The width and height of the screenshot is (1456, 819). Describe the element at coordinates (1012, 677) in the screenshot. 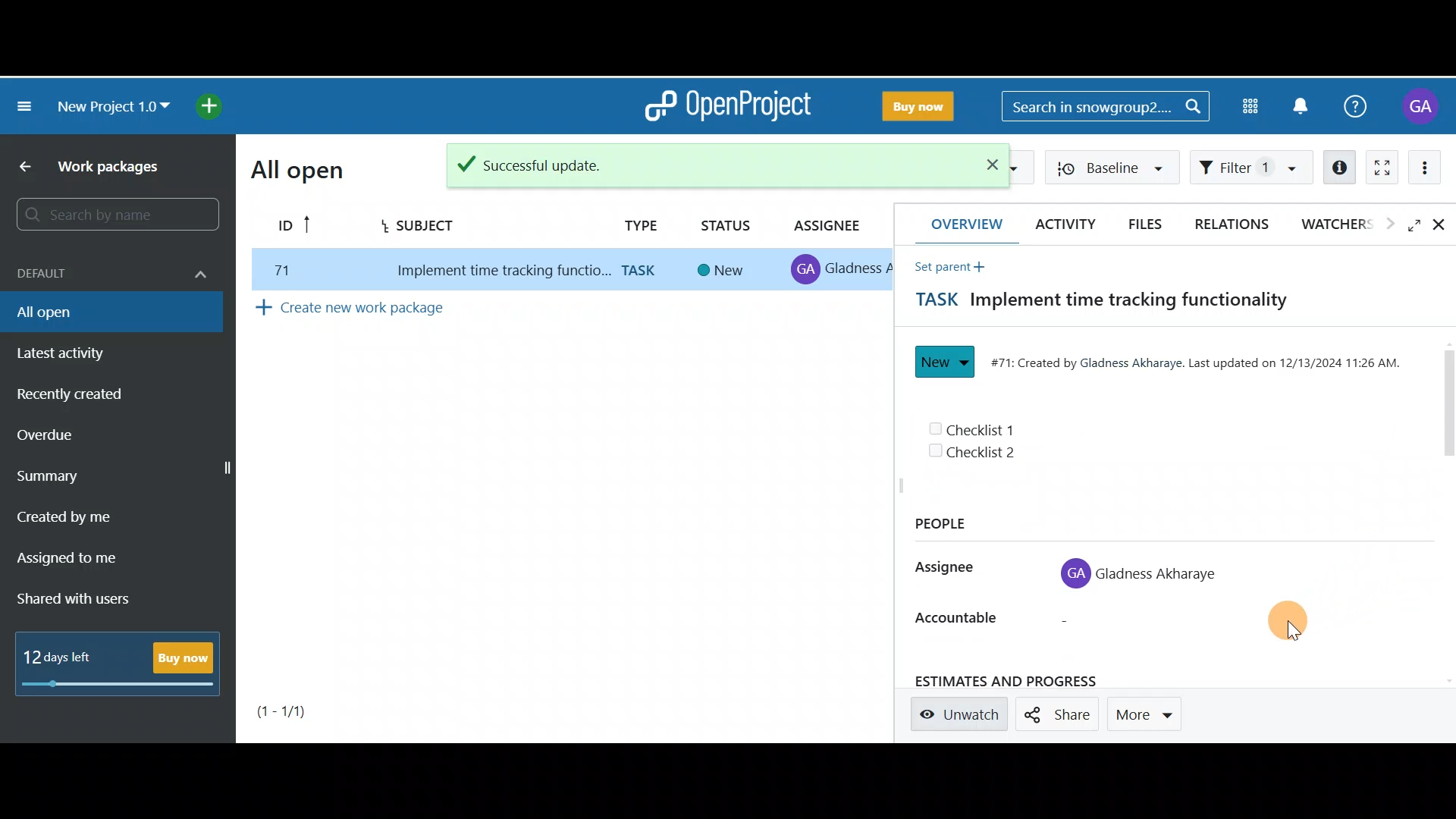

I see `estimates and progress` at that location.